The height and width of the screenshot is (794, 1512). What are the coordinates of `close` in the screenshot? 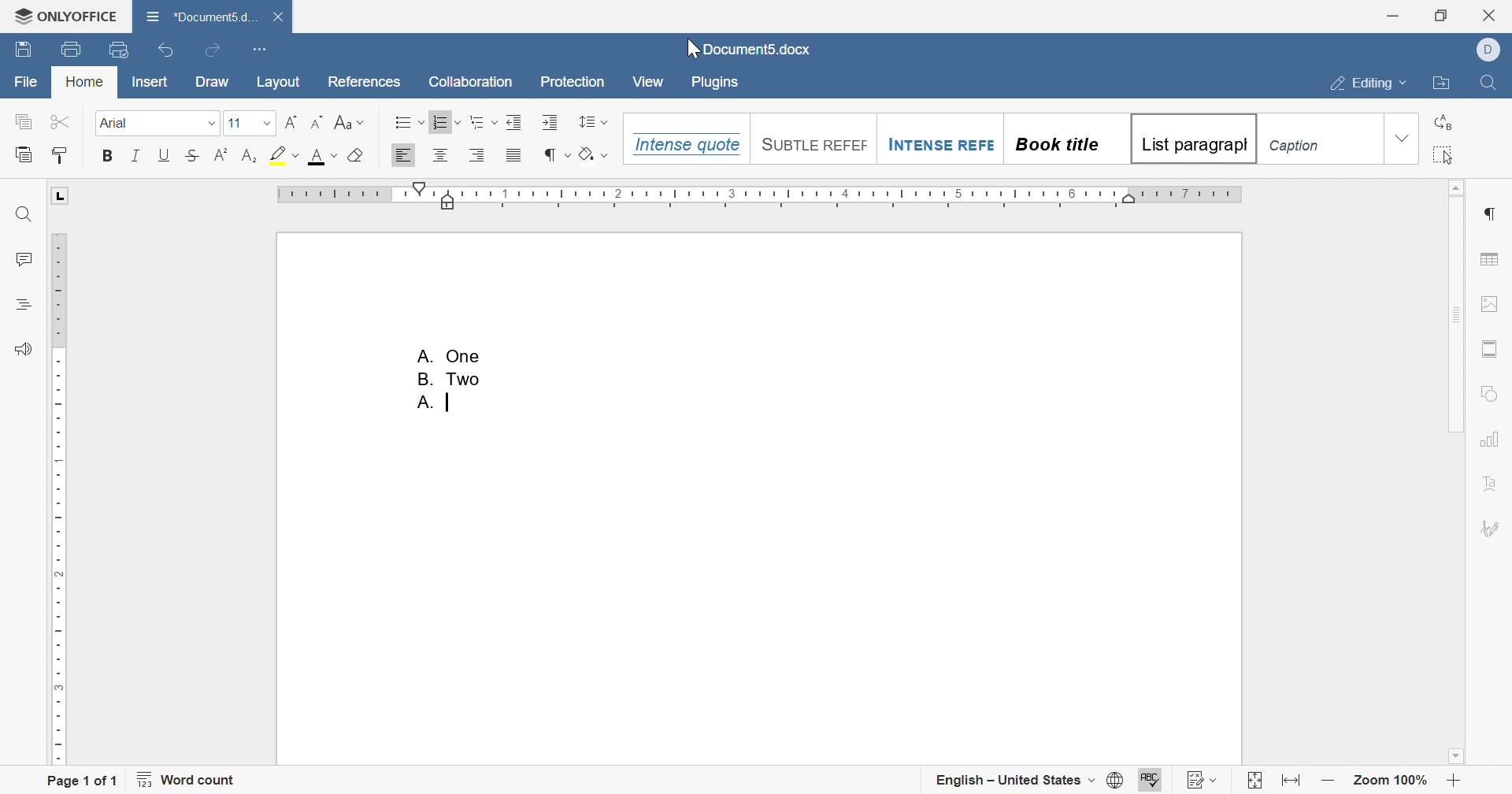 It's located at (1492, 16).